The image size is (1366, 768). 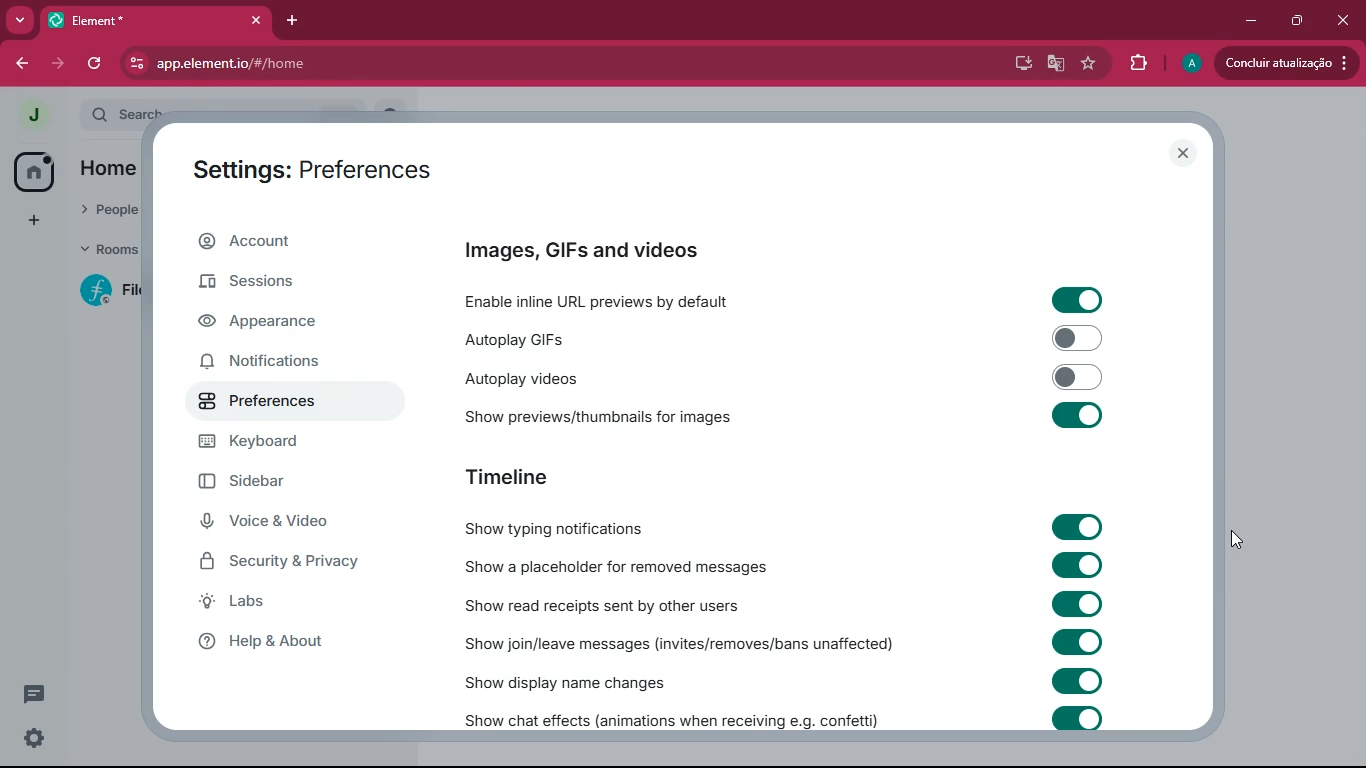 What do you see at coordinates (1019, 63) in the screenshot?
I see `desktop` at bounding box center [1019, 63].